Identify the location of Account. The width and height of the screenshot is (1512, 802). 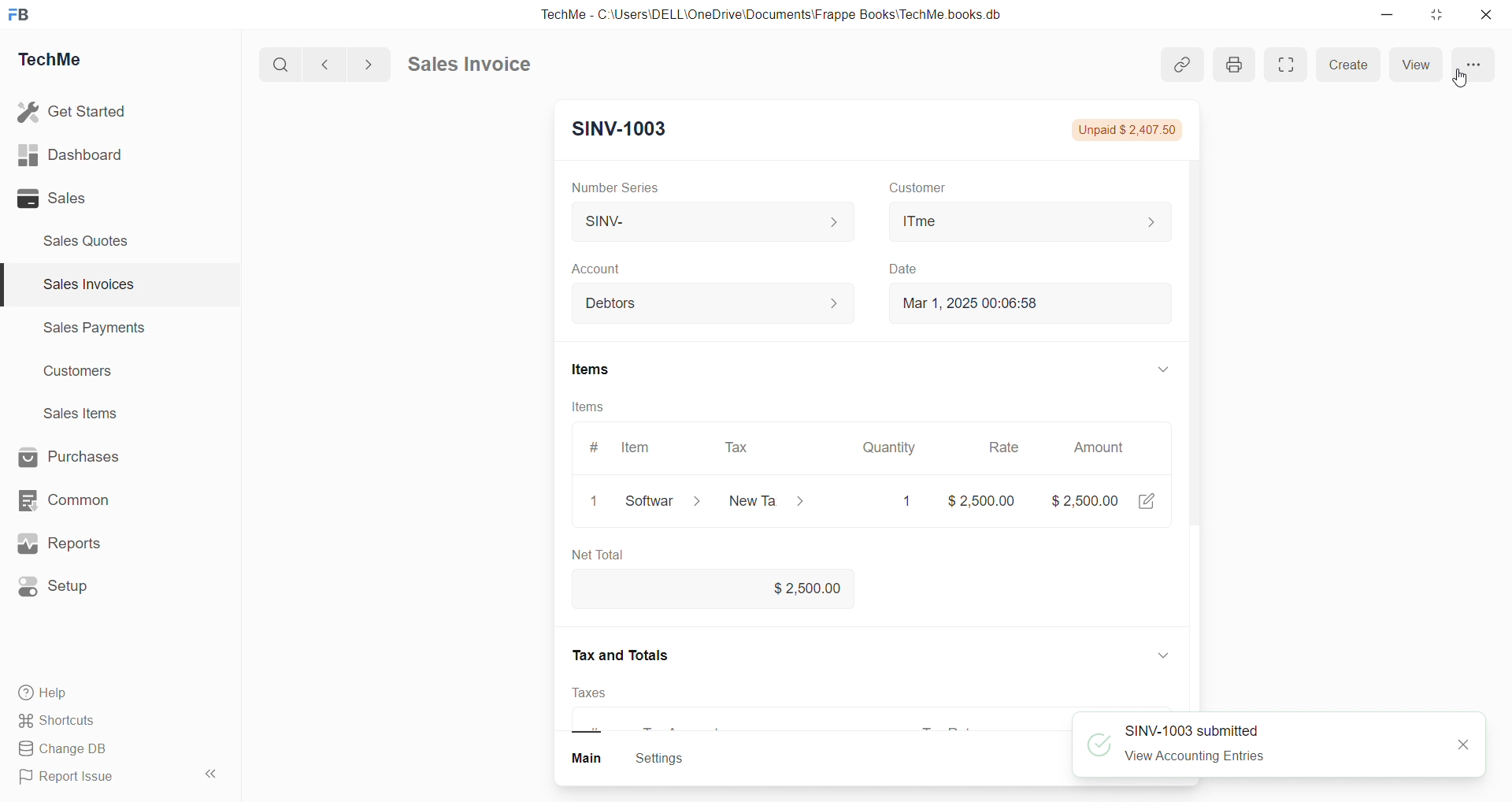
(607, 269).